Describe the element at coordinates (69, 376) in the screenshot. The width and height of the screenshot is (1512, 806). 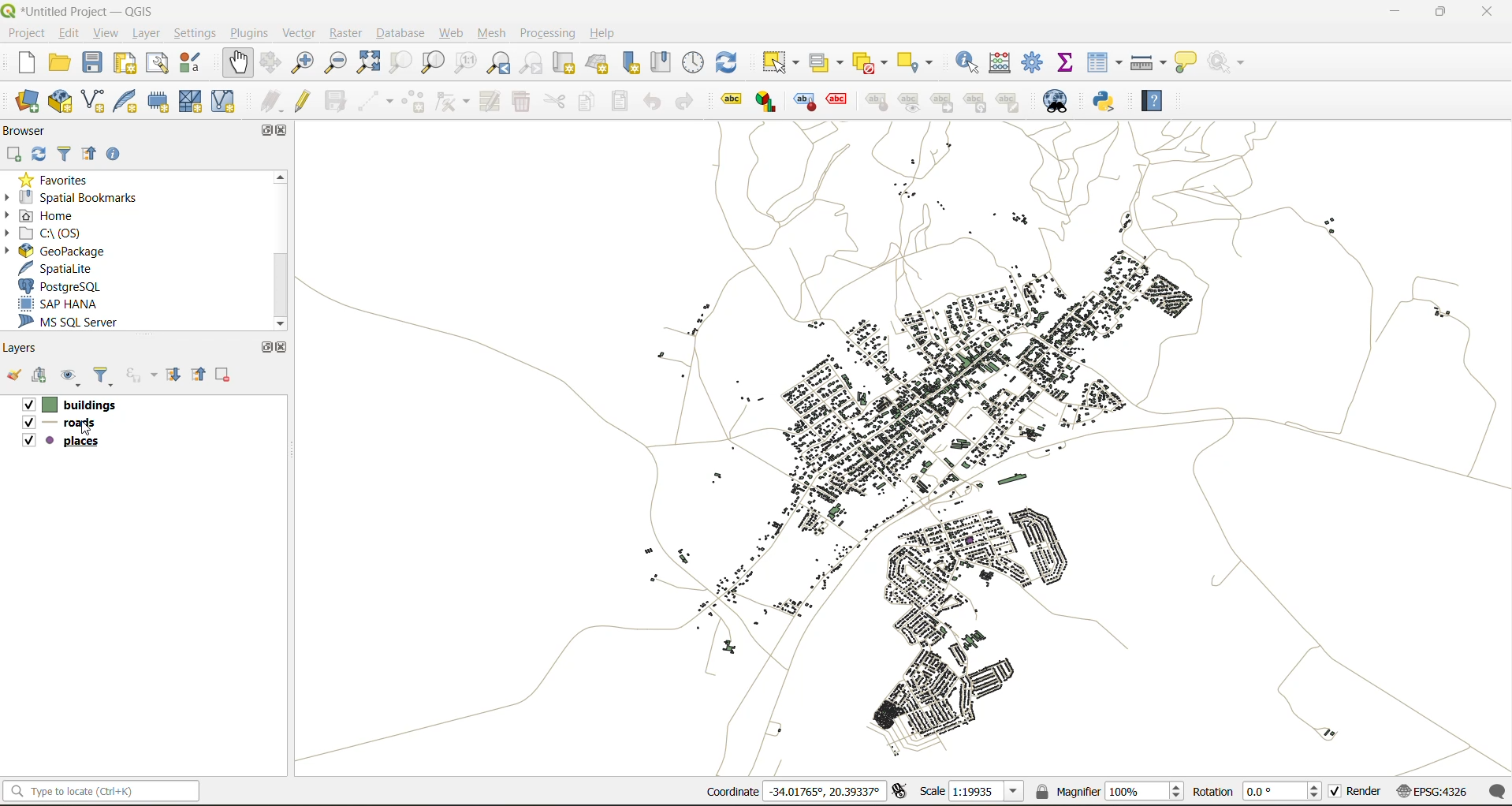
I see `manage map` at that location.